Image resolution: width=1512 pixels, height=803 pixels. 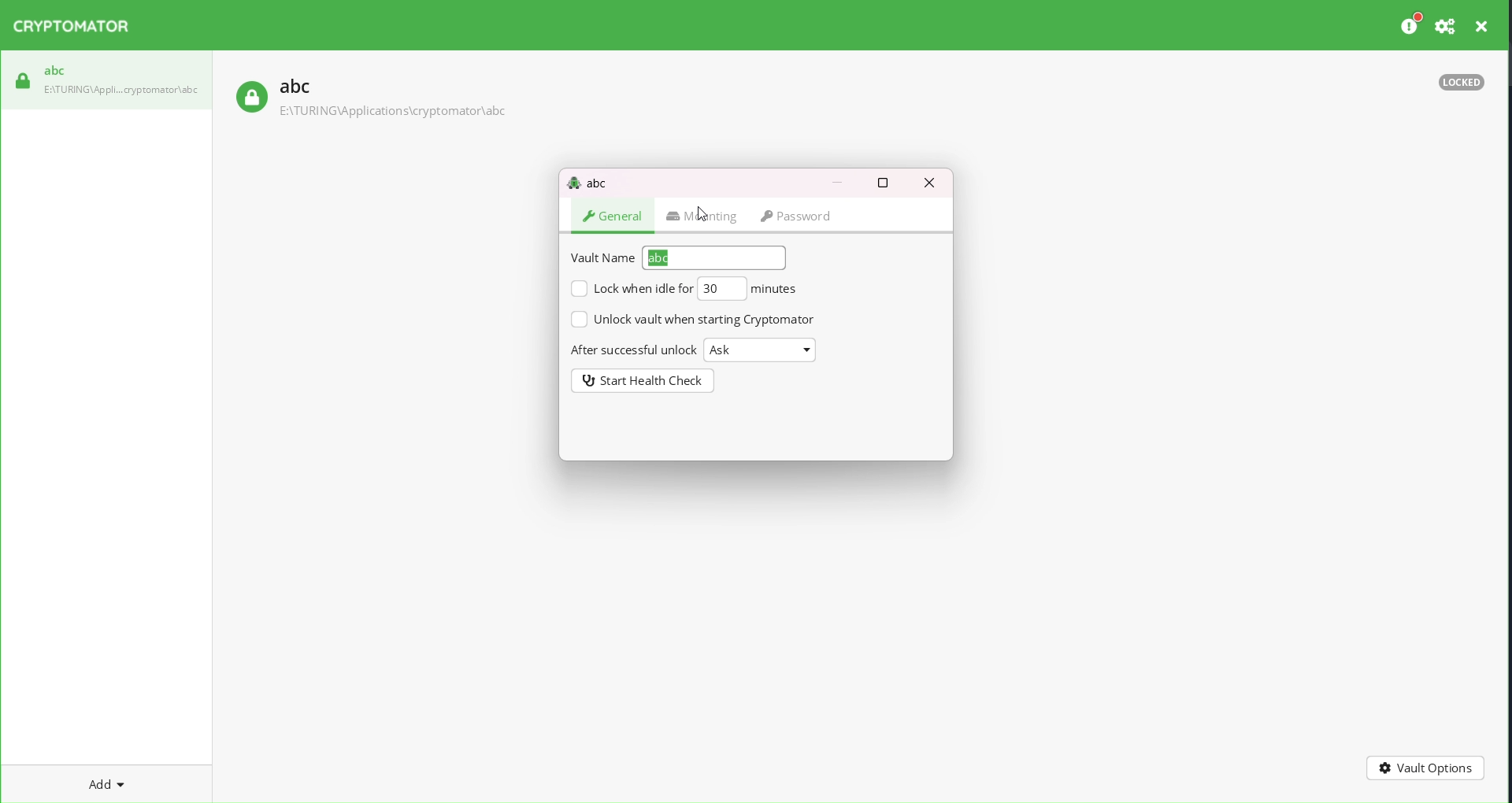 I want to click on Cryptomator, so click(x=77, y=28).